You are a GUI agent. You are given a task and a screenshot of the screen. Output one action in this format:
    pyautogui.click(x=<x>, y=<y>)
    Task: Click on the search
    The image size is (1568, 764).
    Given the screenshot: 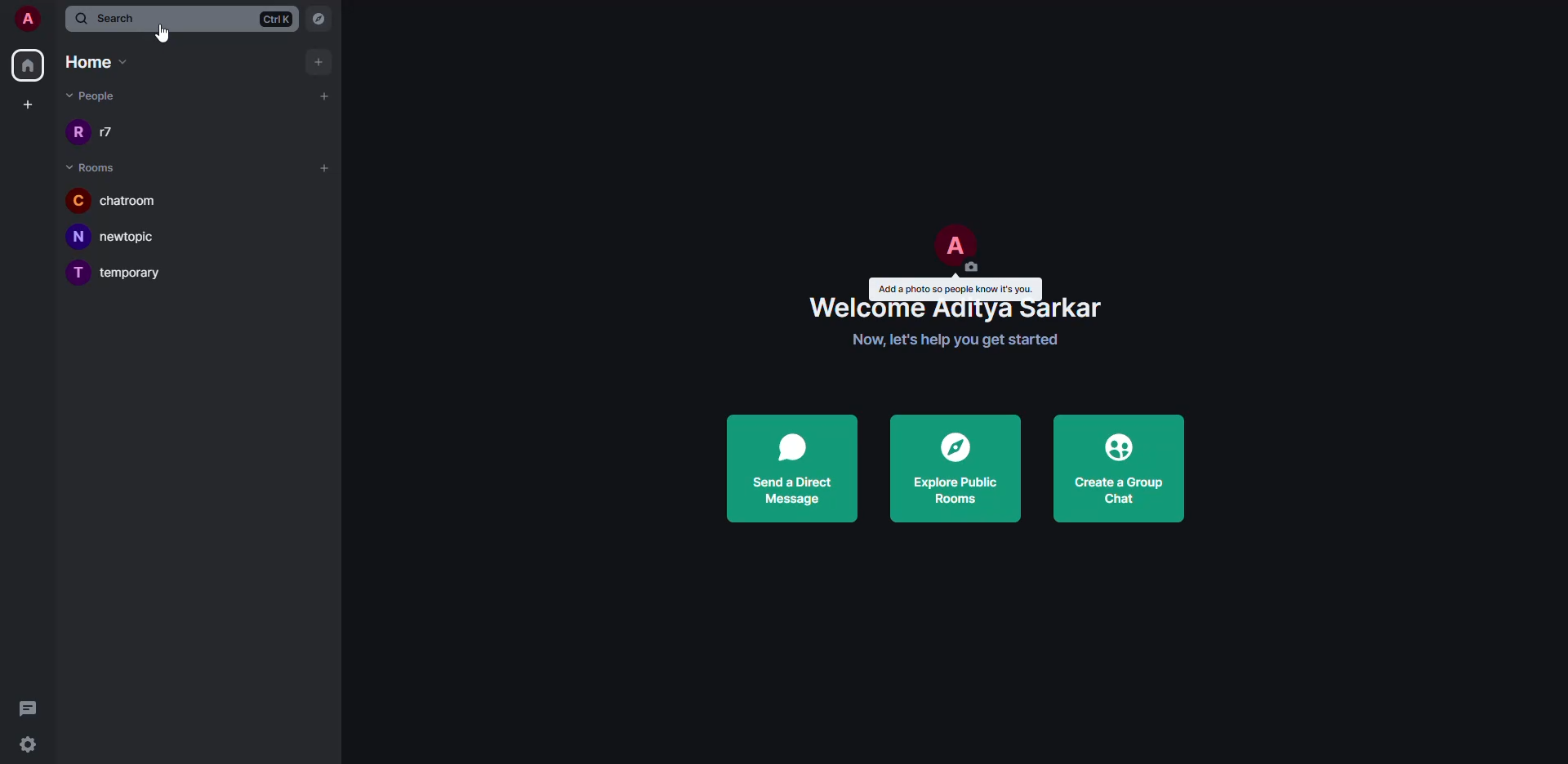 What is the action you would take?
    pyautogui.click(x=112, y=18)
    